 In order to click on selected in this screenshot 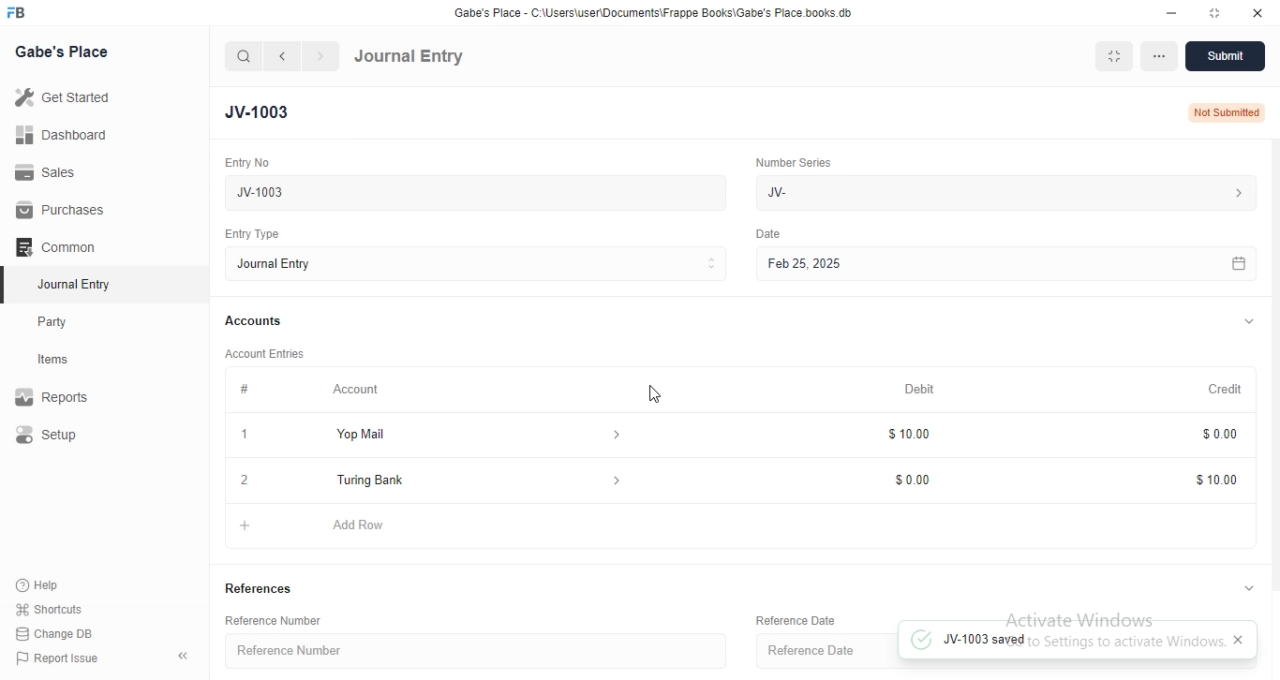, I will do `click(8, 286)`.